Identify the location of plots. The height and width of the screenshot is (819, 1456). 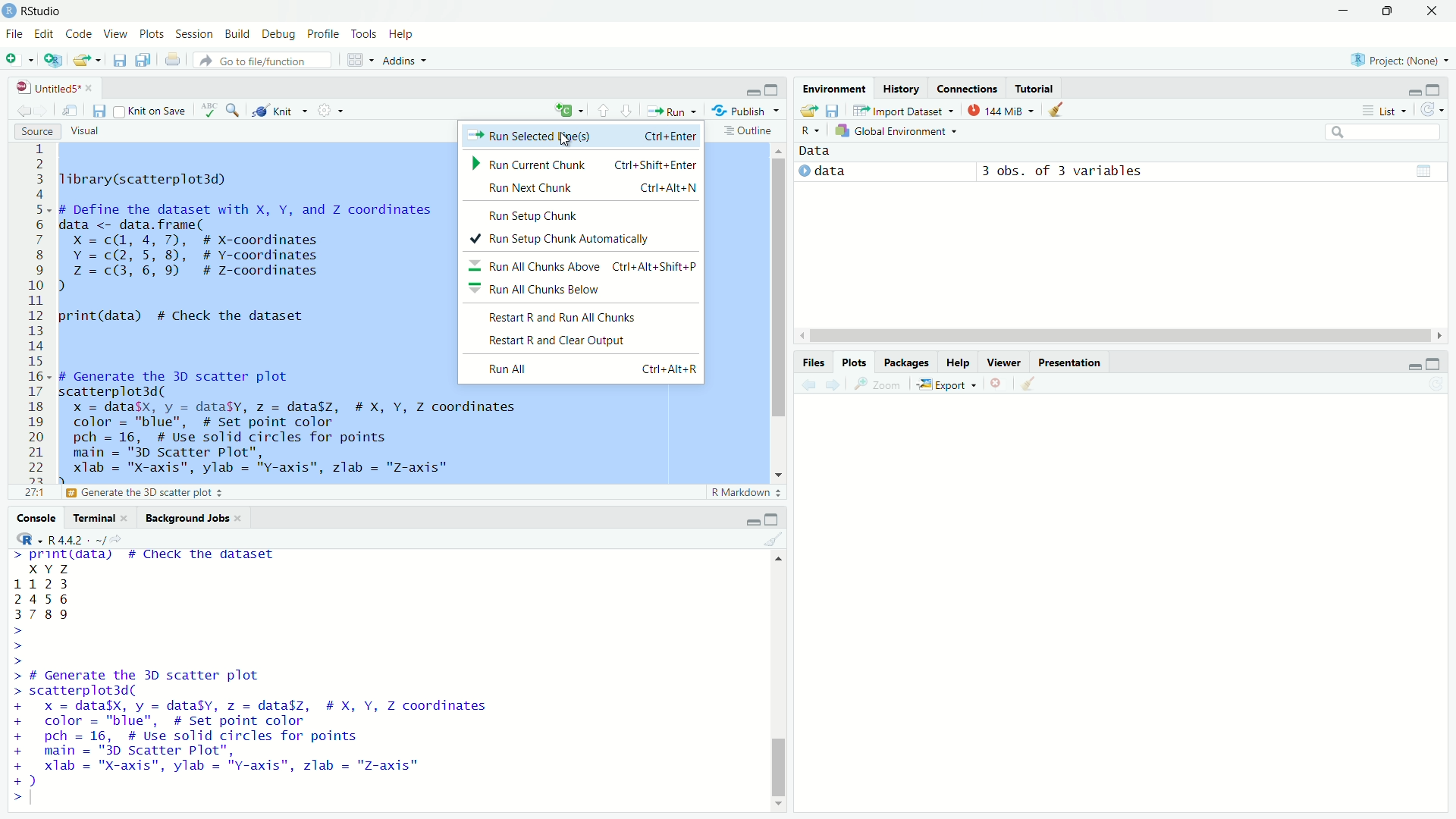
(152, 36).